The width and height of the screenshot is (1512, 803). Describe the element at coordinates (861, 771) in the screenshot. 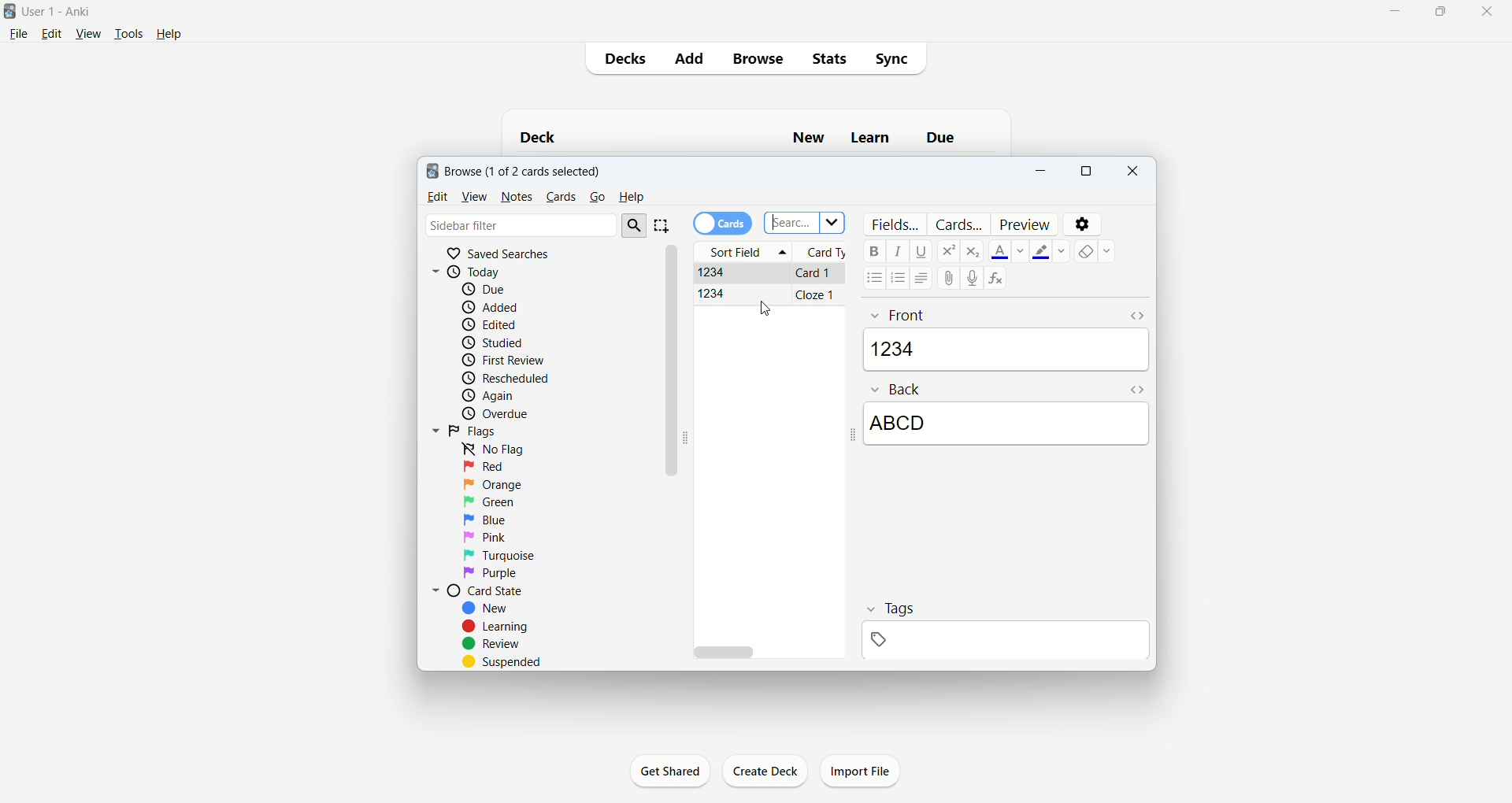

I see `import file` at that location.